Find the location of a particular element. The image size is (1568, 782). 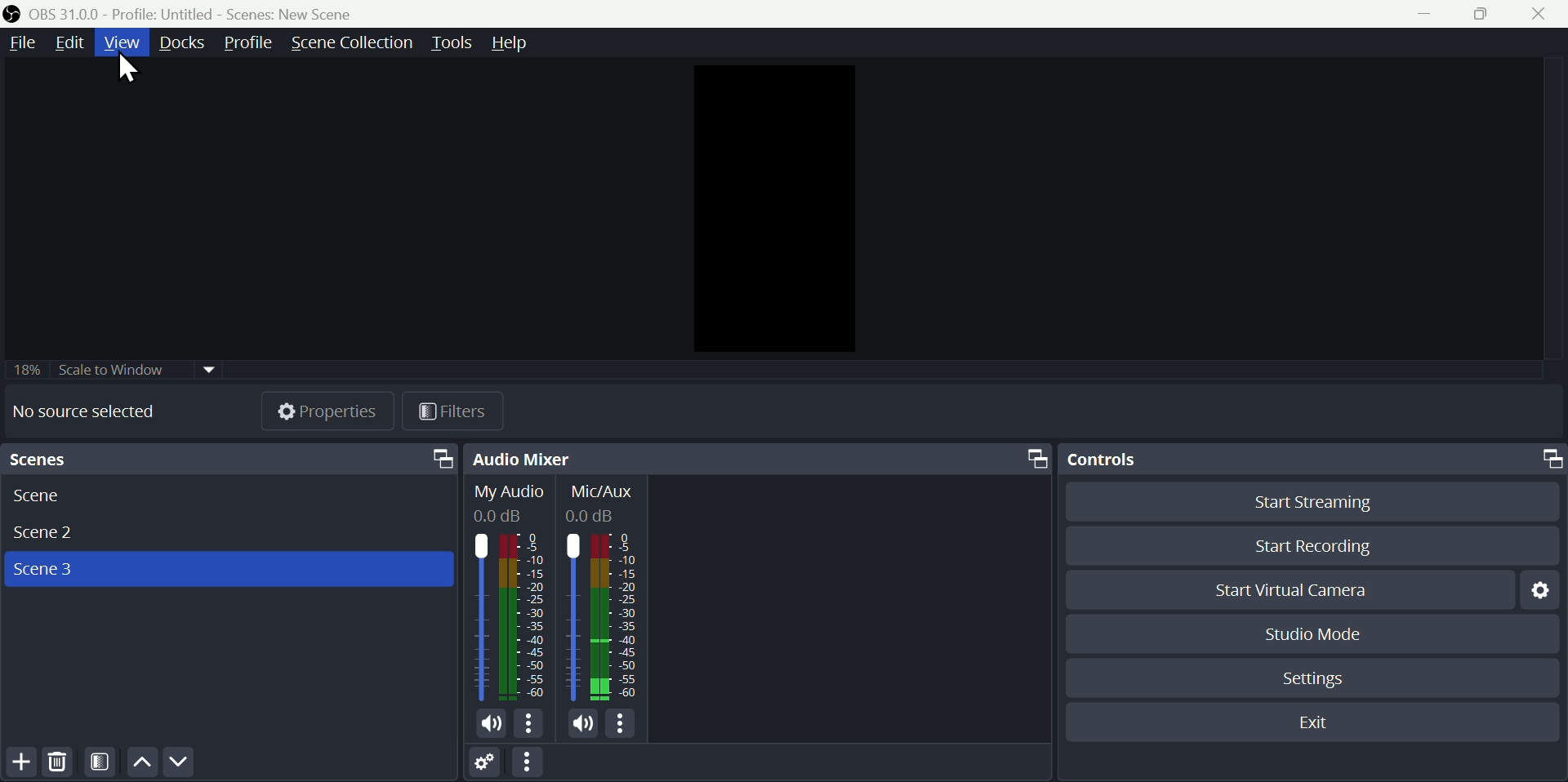

Delete is located at coordinates (60, 765).